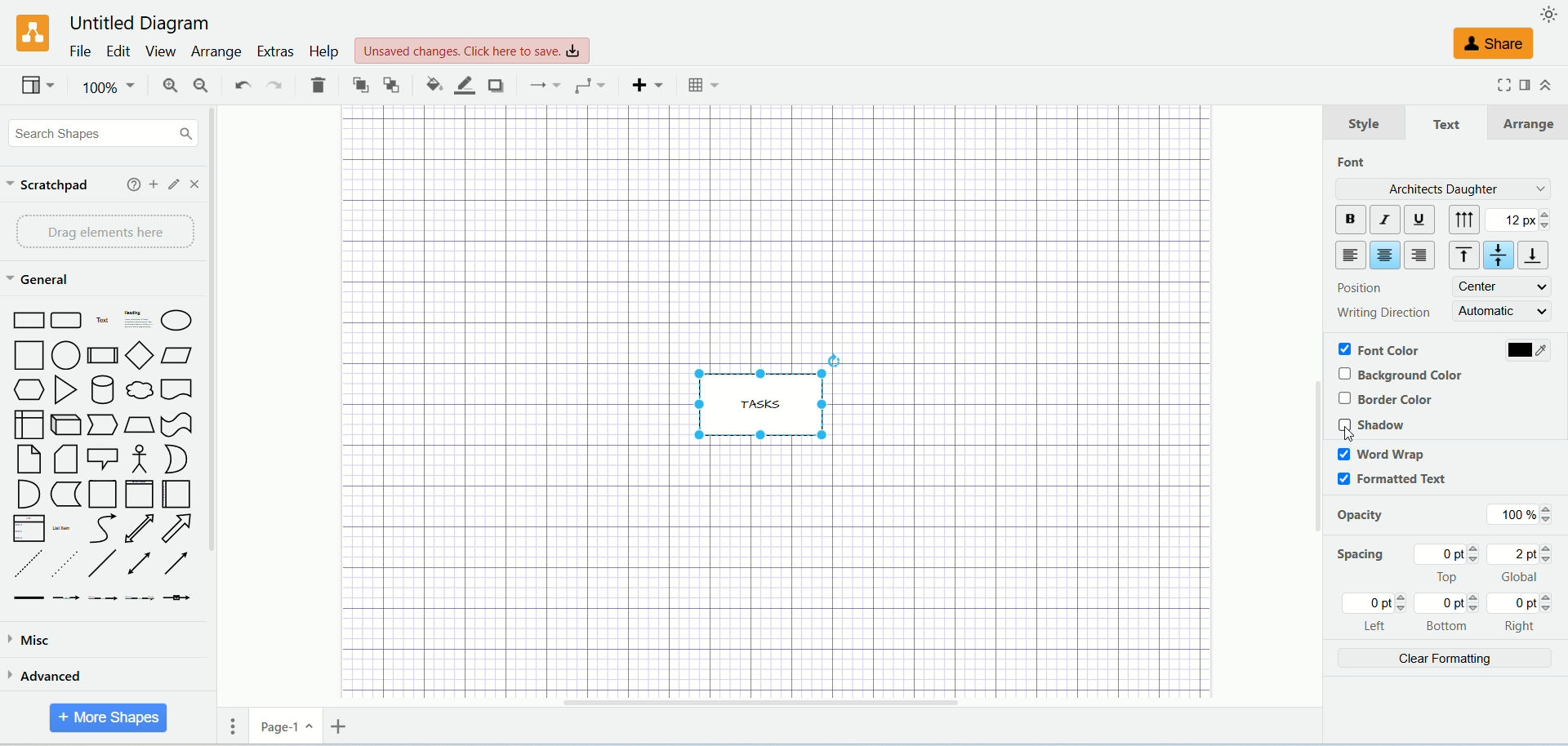 The height and width of the screenshot is (746, 1568). I want to click on spacing, so click(1361, 557).